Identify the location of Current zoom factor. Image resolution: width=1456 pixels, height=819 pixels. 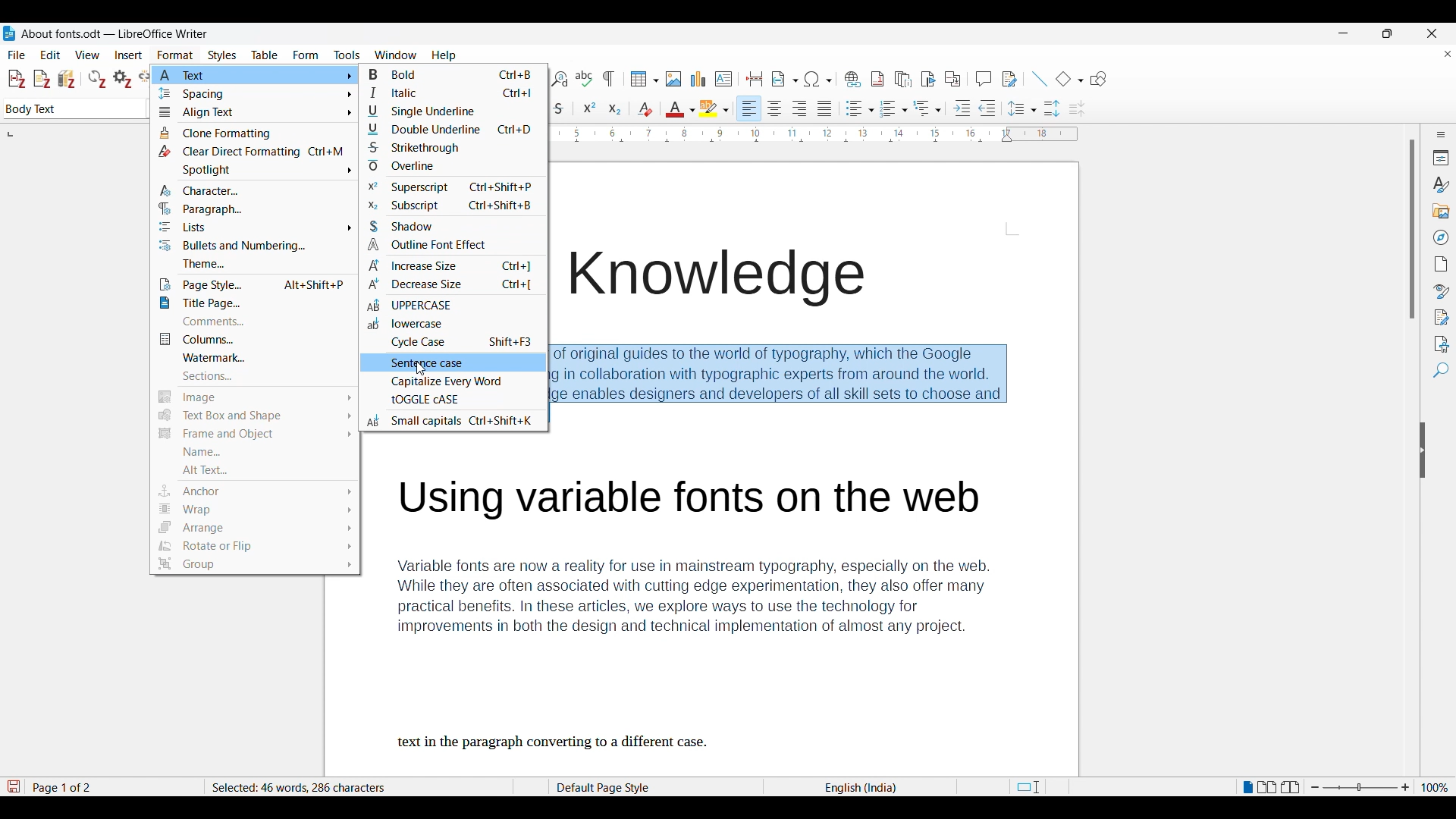
(1435, 787).